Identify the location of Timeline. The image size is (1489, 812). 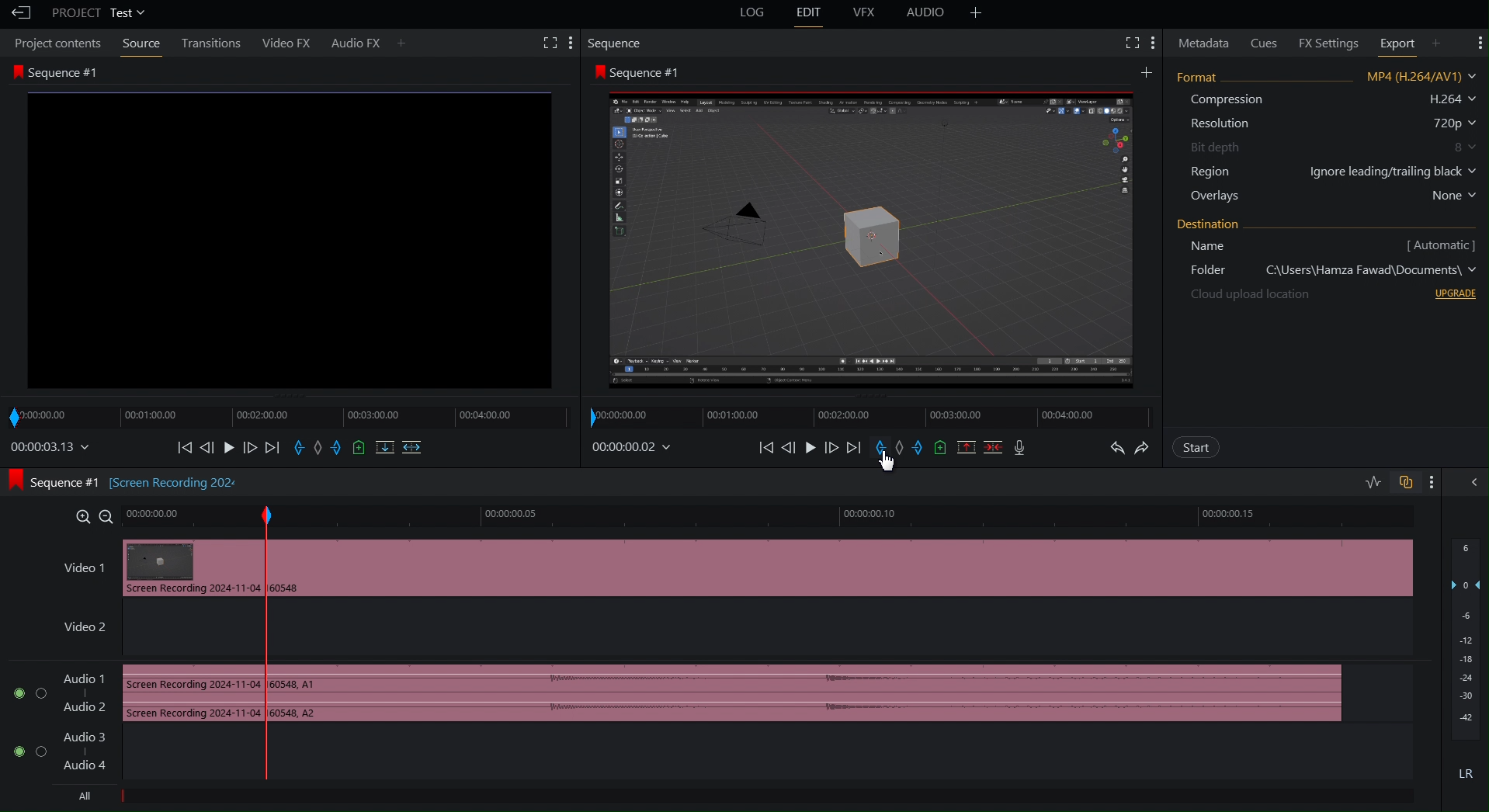
(181, 516).